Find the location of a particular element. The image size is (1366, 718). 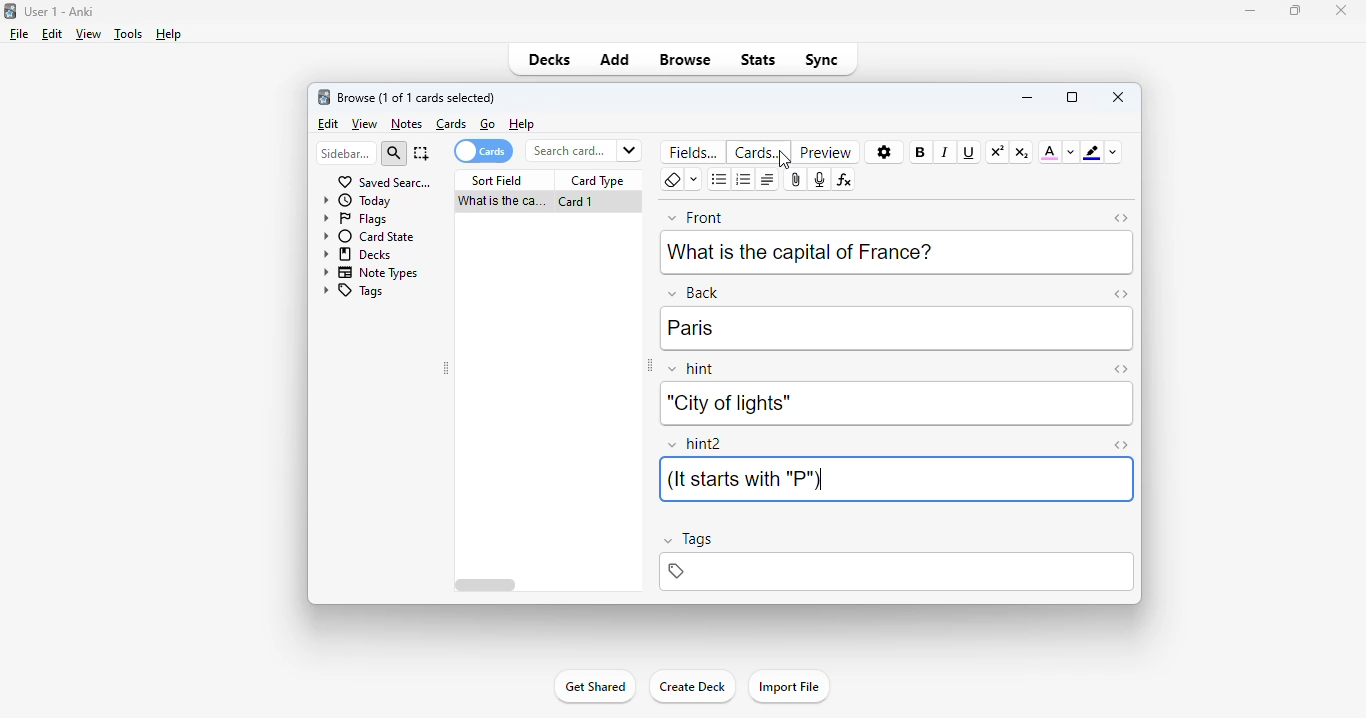

tags is located at coordinates (352, 292).